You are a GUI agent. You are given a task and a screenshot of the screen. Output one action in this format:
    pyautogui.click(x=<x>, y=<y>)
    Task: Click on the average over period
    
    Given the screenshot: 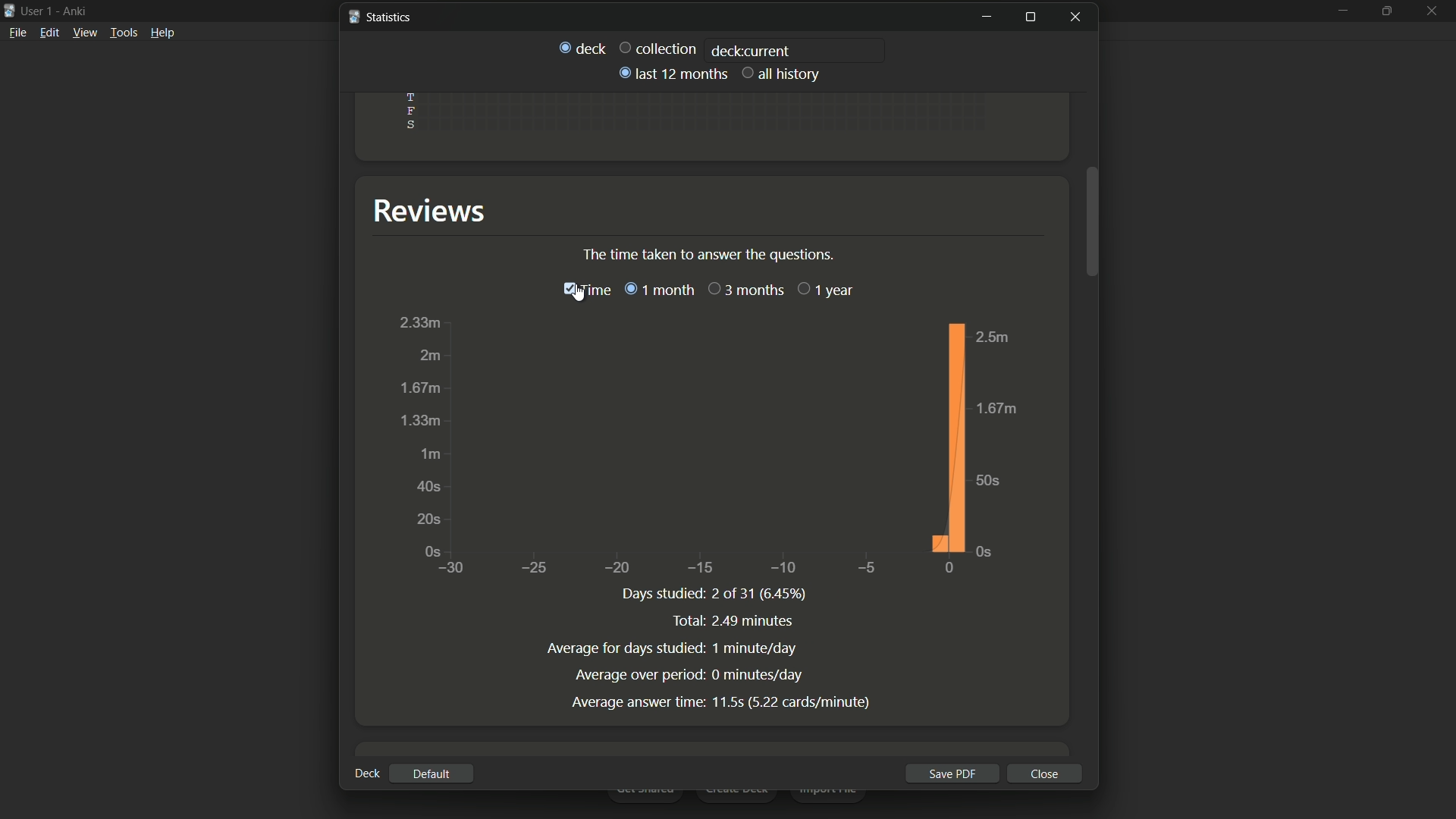 What is the action you would take?
    pyautogui.click(x=640, y=674)
    